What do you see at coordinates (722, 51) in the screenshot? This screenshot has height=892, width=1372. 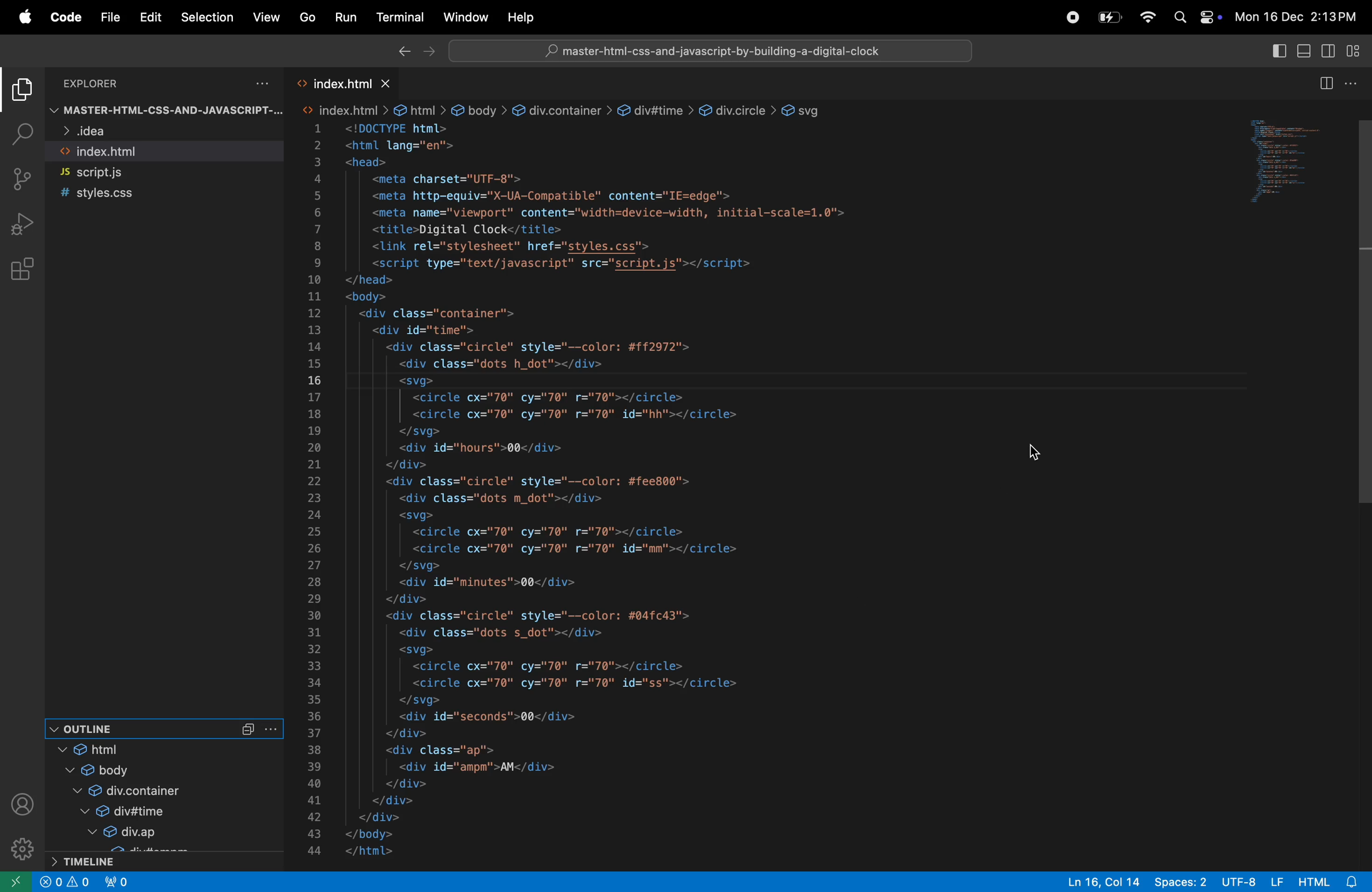 I see `master-html-css-and-javascript-by-building-a-digital-clock` at bounding box center [722, 51].